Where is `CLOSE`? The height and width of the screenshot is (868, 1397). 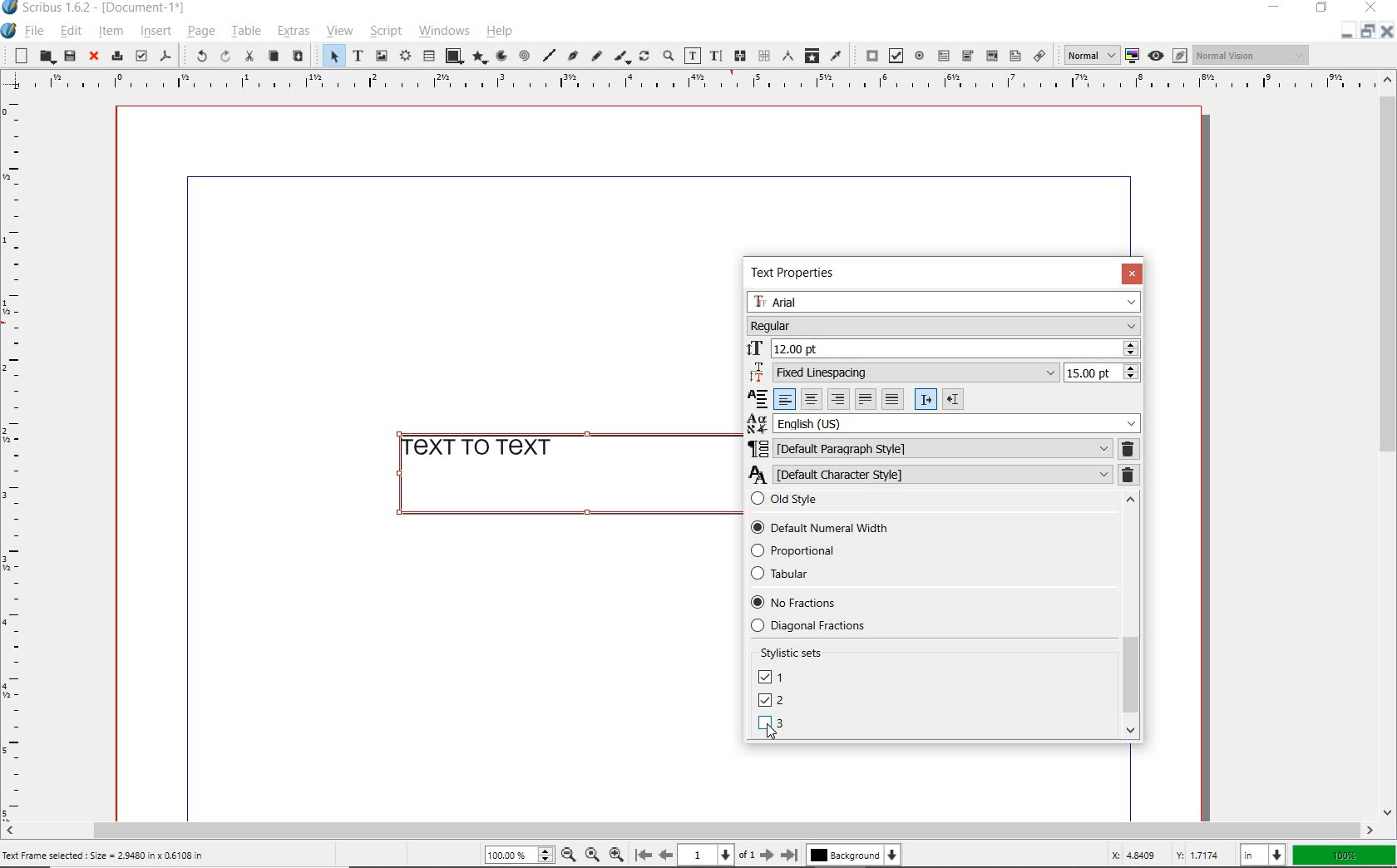
CLOSE is located at coordinates (1131, 274).